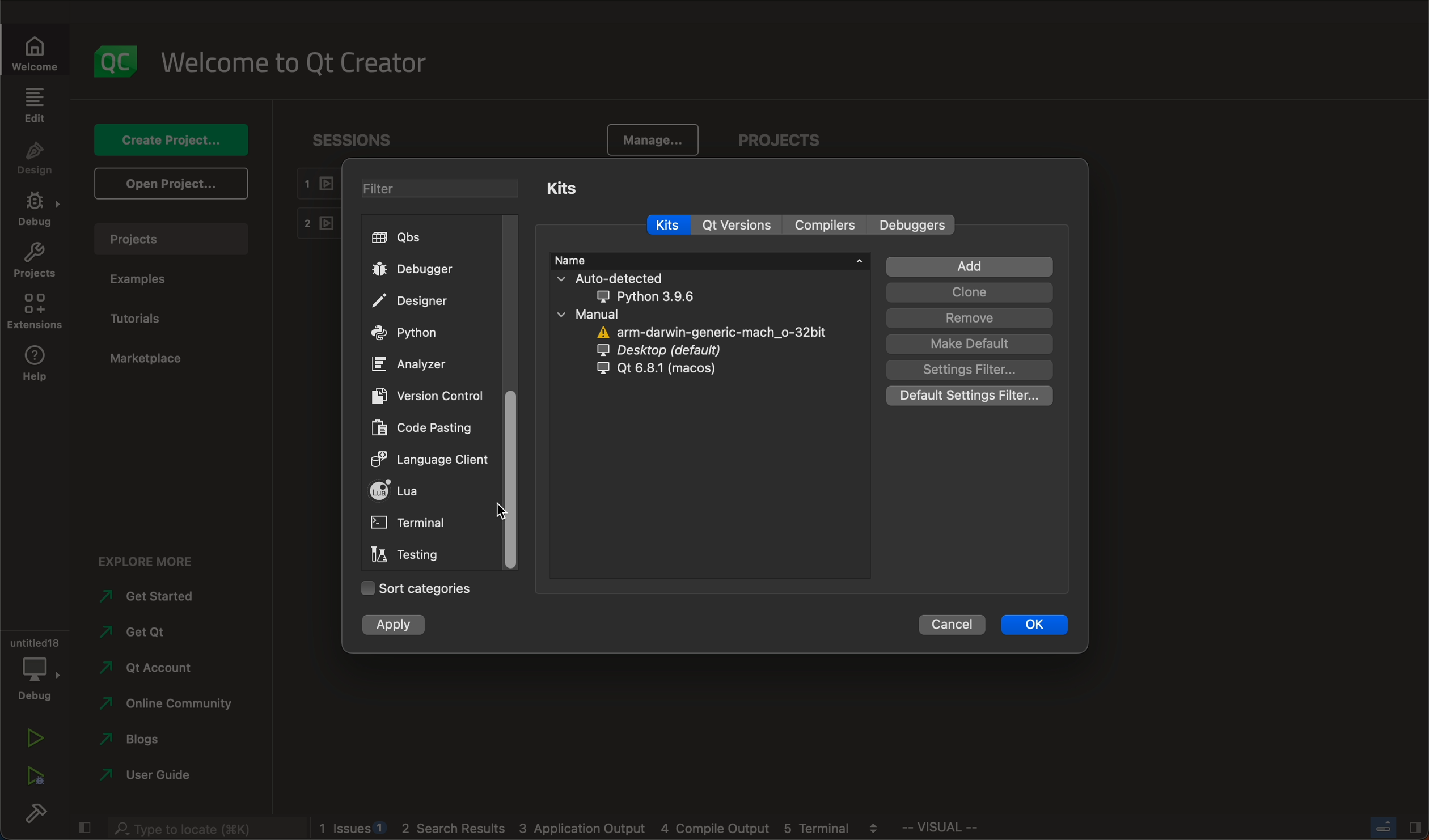 This screenshot has width=1429, height=840. I want to click on run debug, so click(33, 780).